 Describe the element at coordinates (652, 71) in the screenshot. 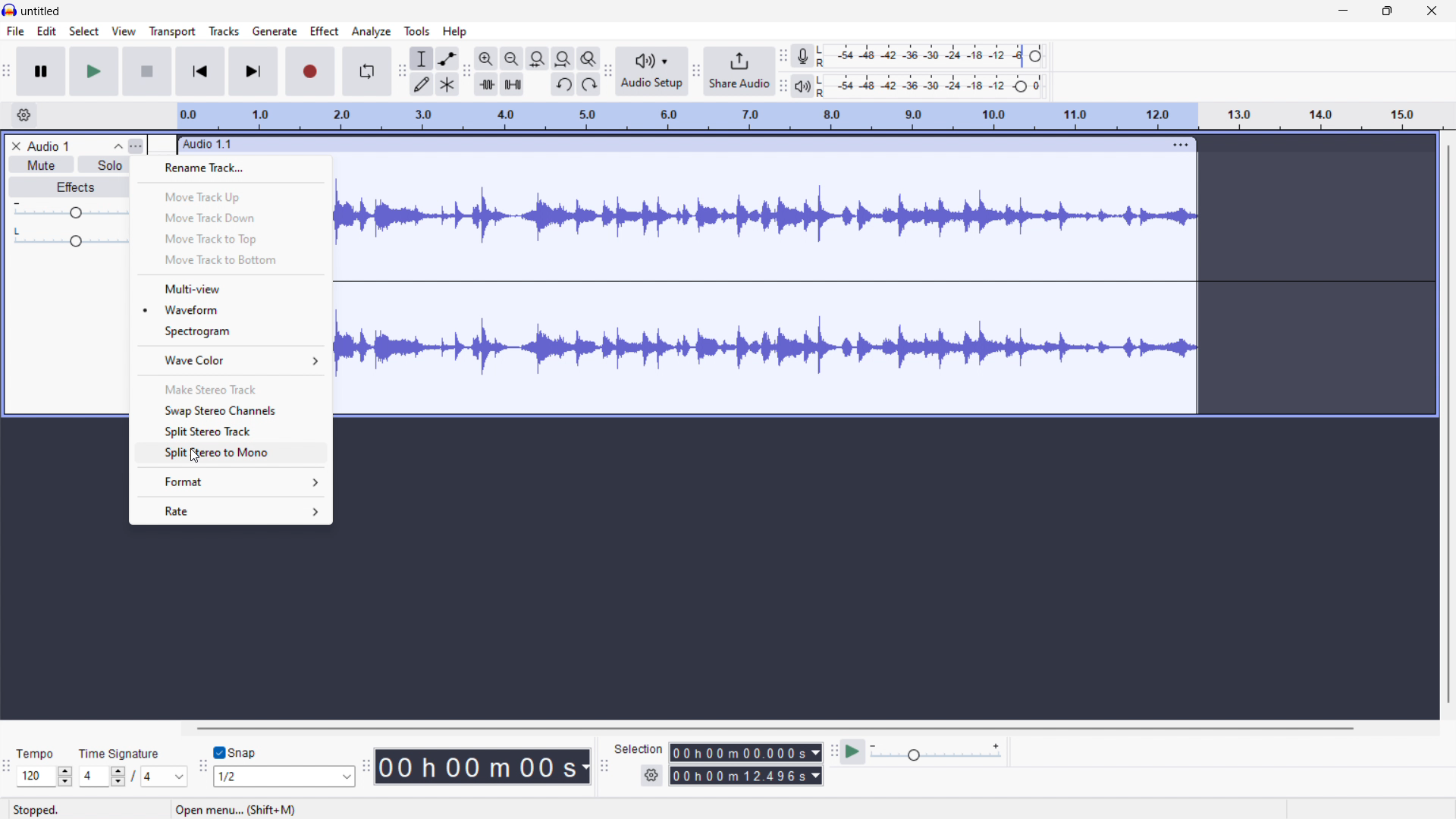

I see `audio setup` at that location.